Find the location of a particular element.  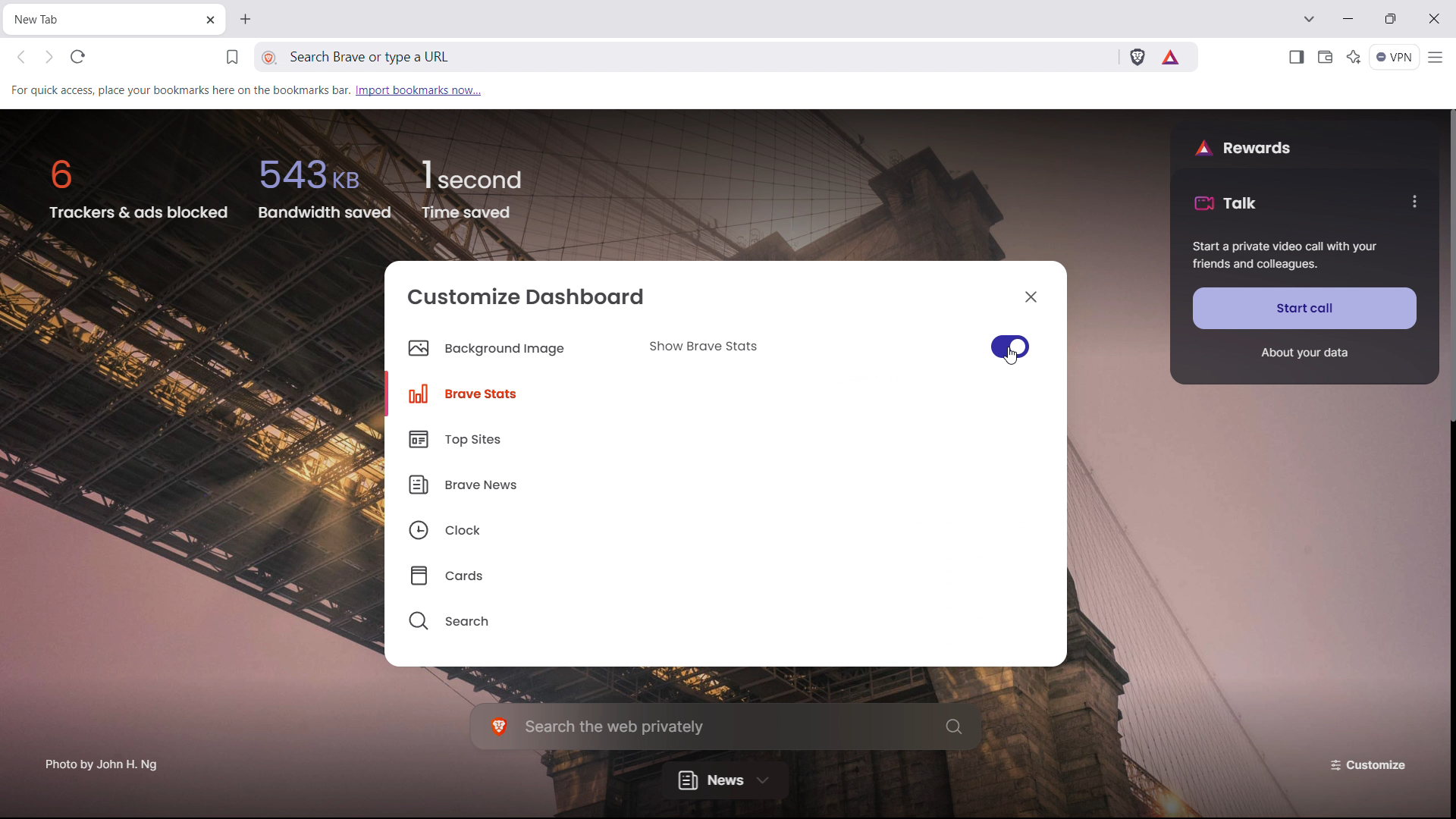

news is located at coordinates (725, 779).